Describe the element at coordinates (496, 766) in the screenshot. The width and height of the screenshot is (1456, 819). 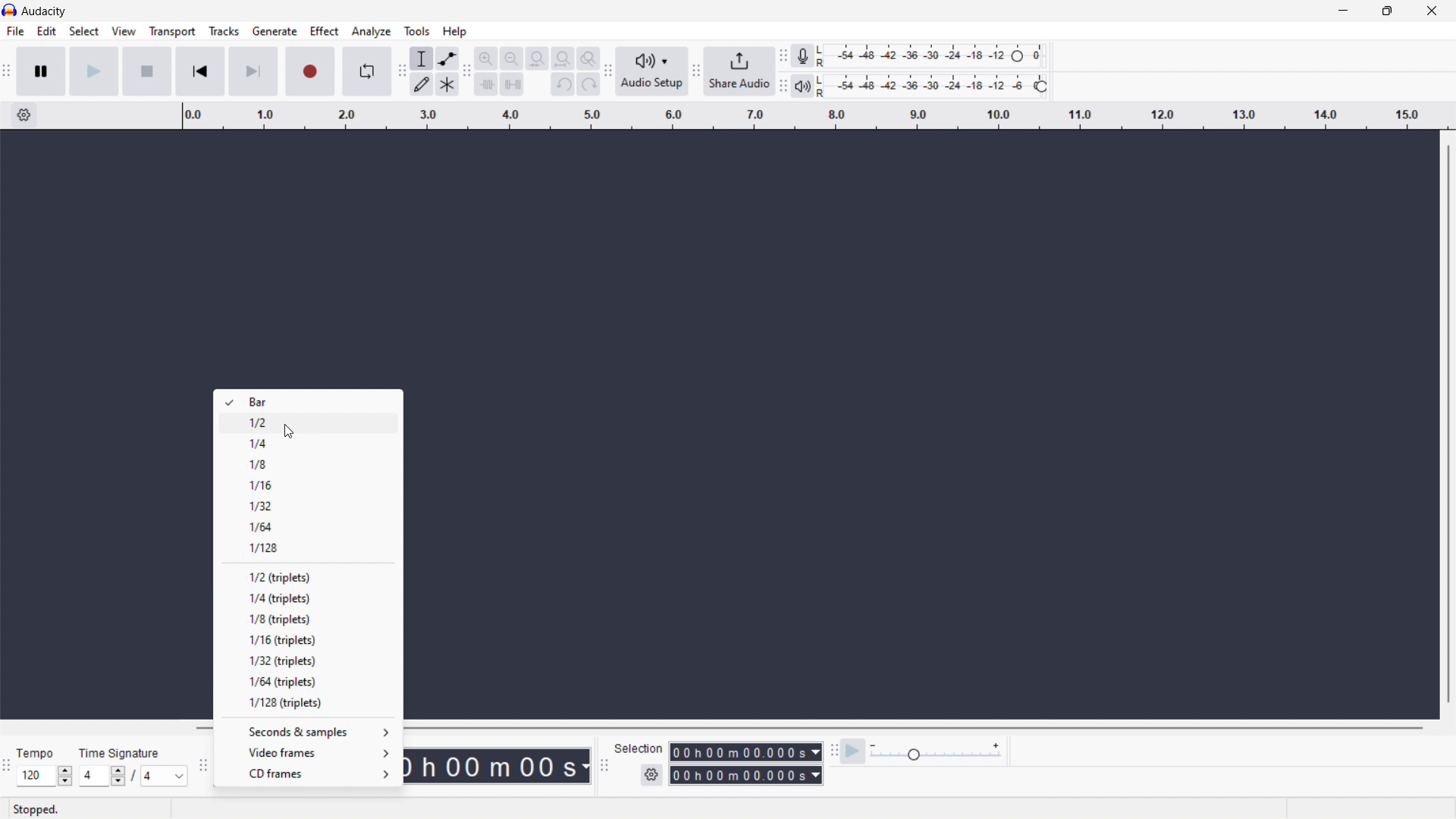
I see `time` at that location.